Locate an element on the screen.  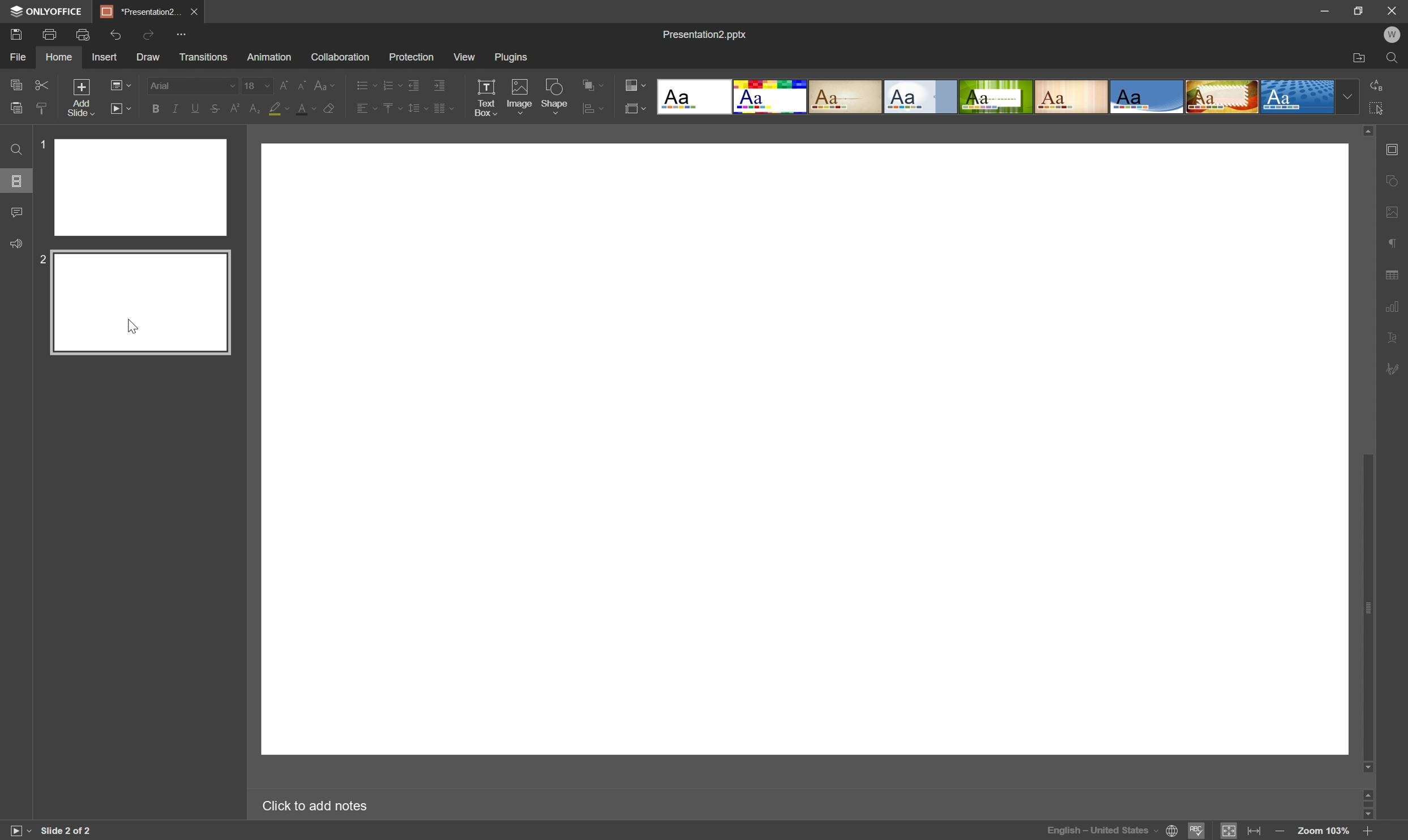
Collaboration is located at coordinates (341, 57).